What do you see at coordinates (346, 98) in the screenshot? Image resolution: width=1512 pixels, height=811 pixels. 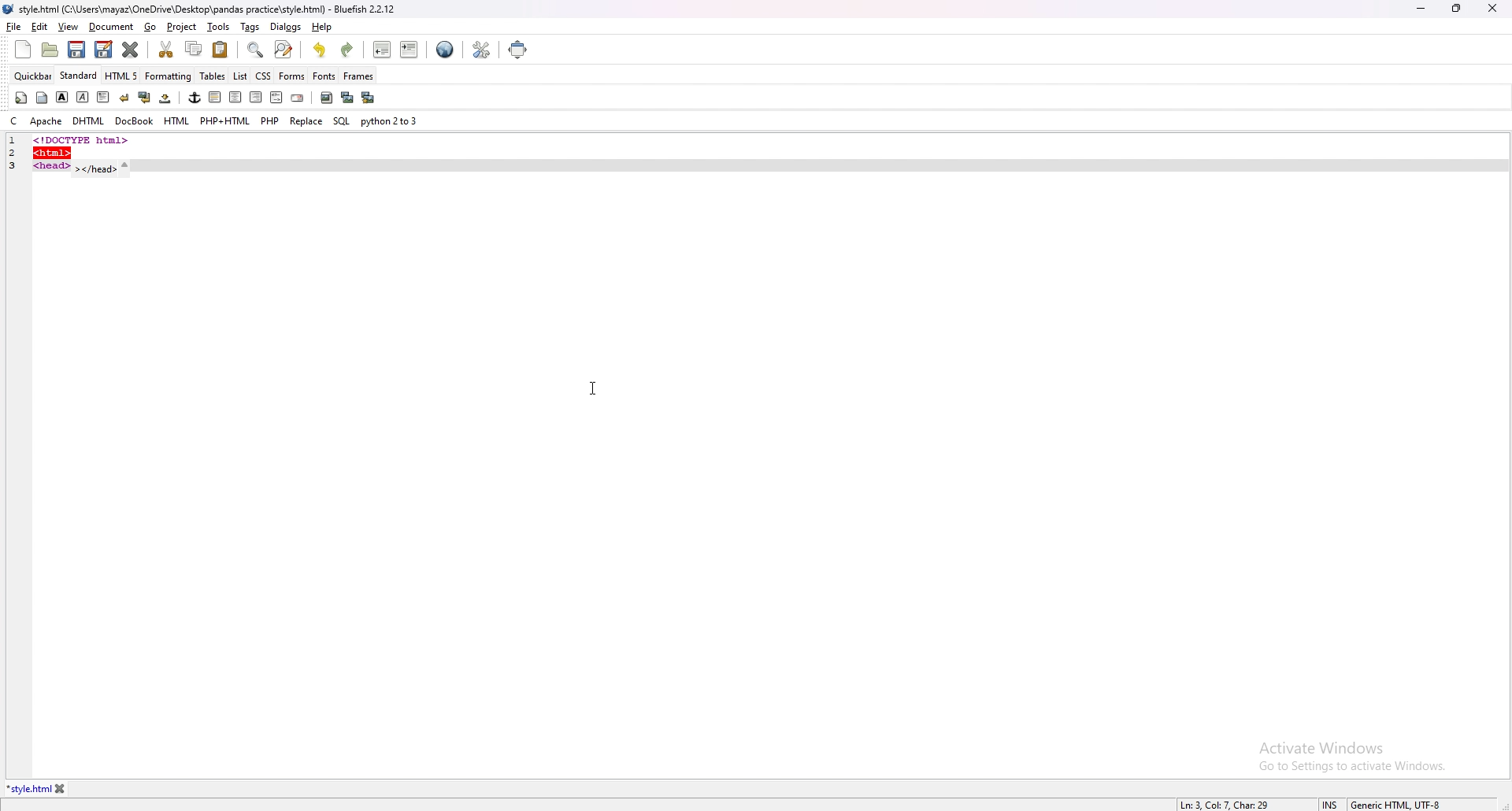 I see `insert thumbnail` at bounding box center [346, 98].